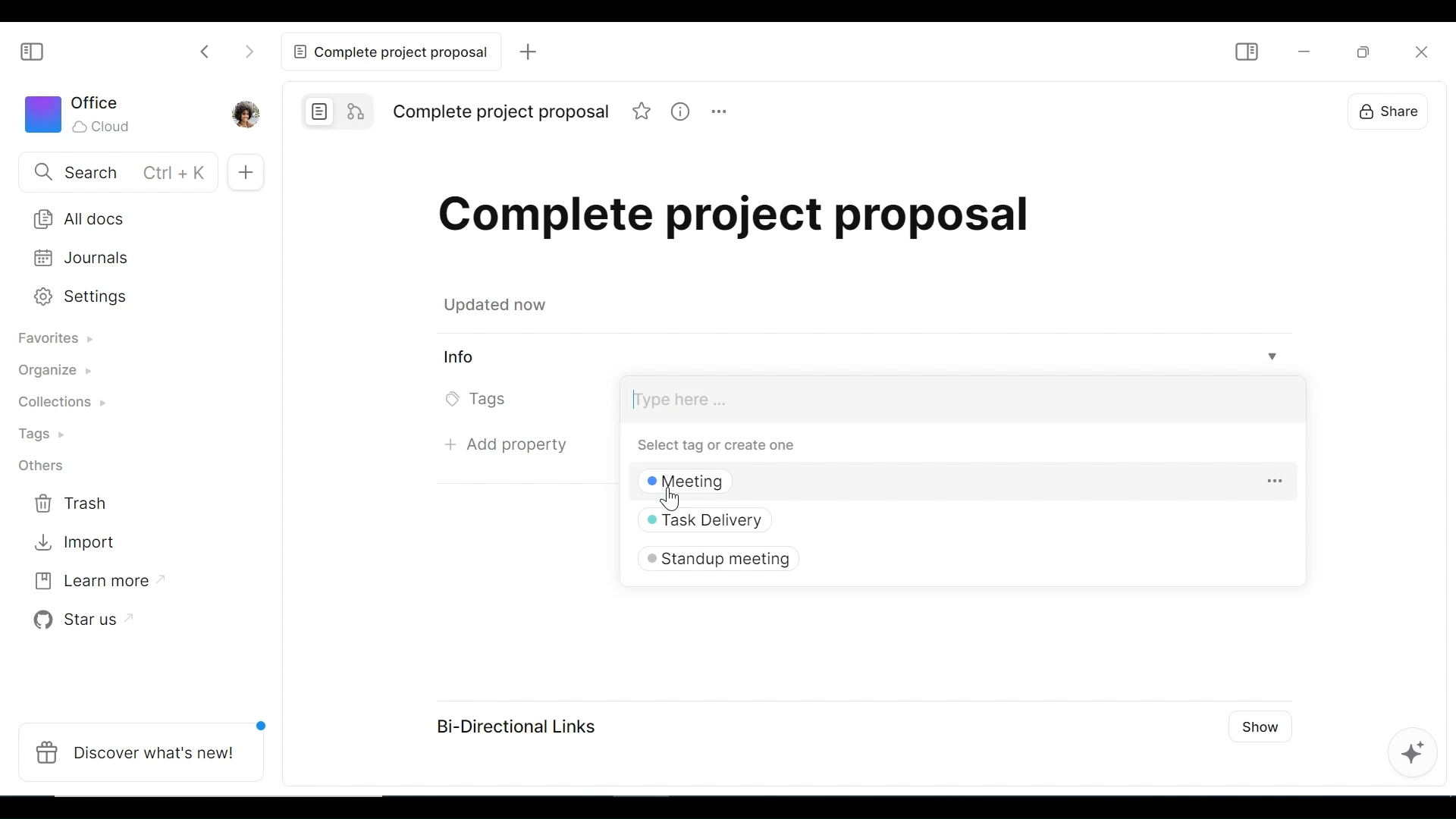  Describe the element at coordinates (83, 115) in the screenshot. I see `Workspace` at that location.